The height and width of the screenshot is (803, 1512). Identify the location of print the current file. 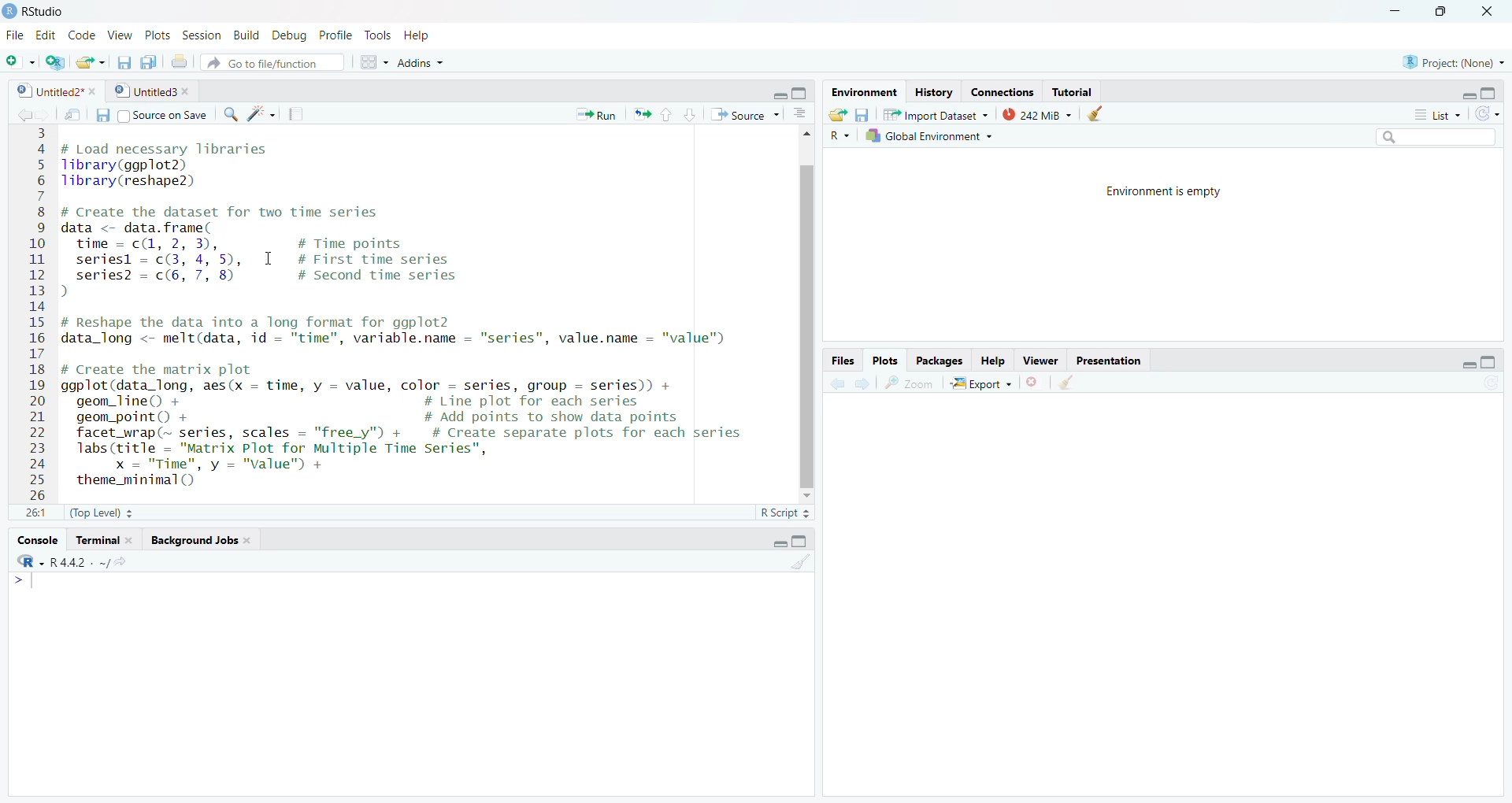
(177, 61).